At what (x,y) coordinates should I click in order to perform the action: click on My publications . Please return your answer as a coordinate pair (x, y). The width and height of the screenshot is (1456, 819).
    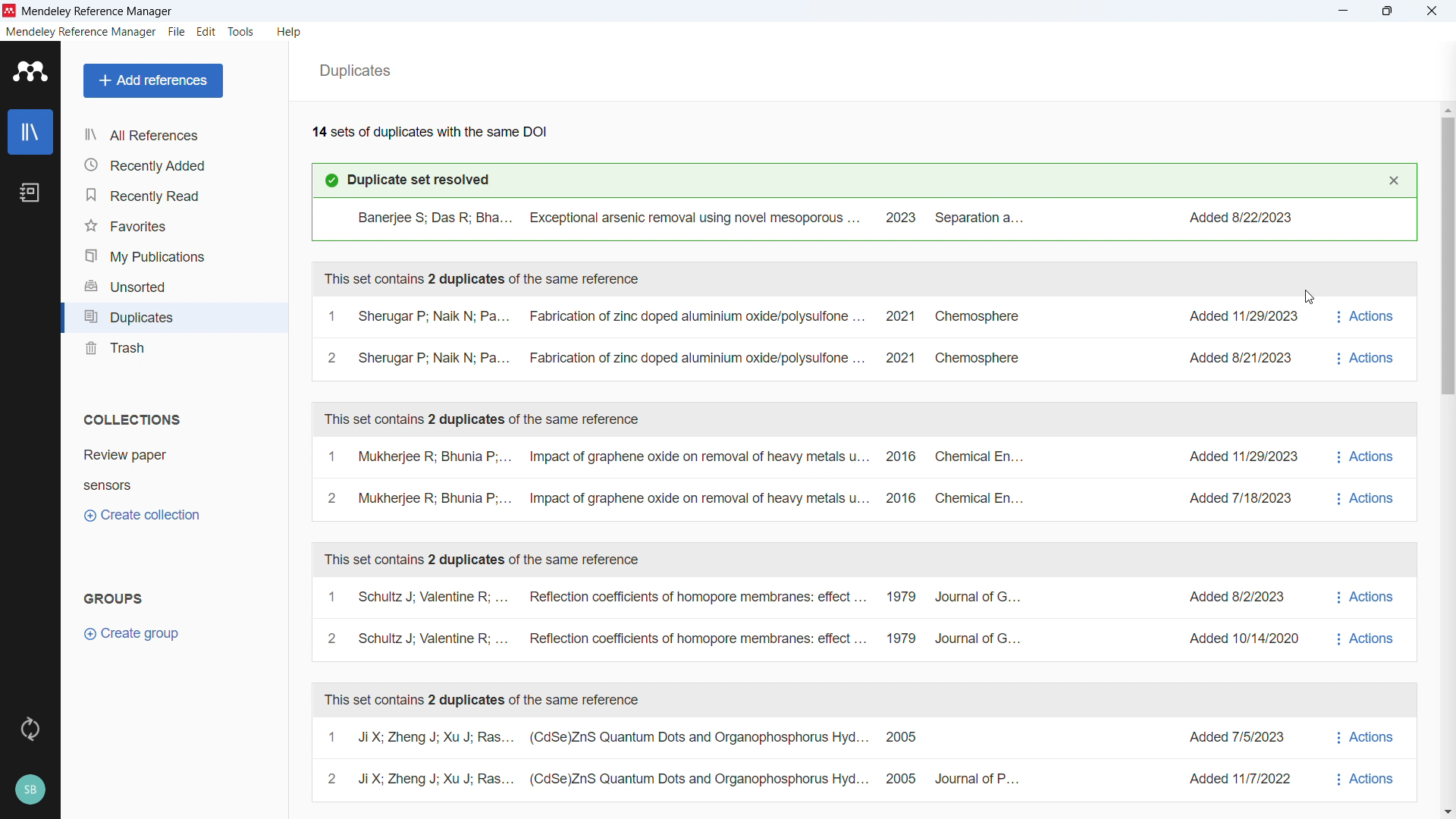
    Looking at the image, I should click on (173, 256).